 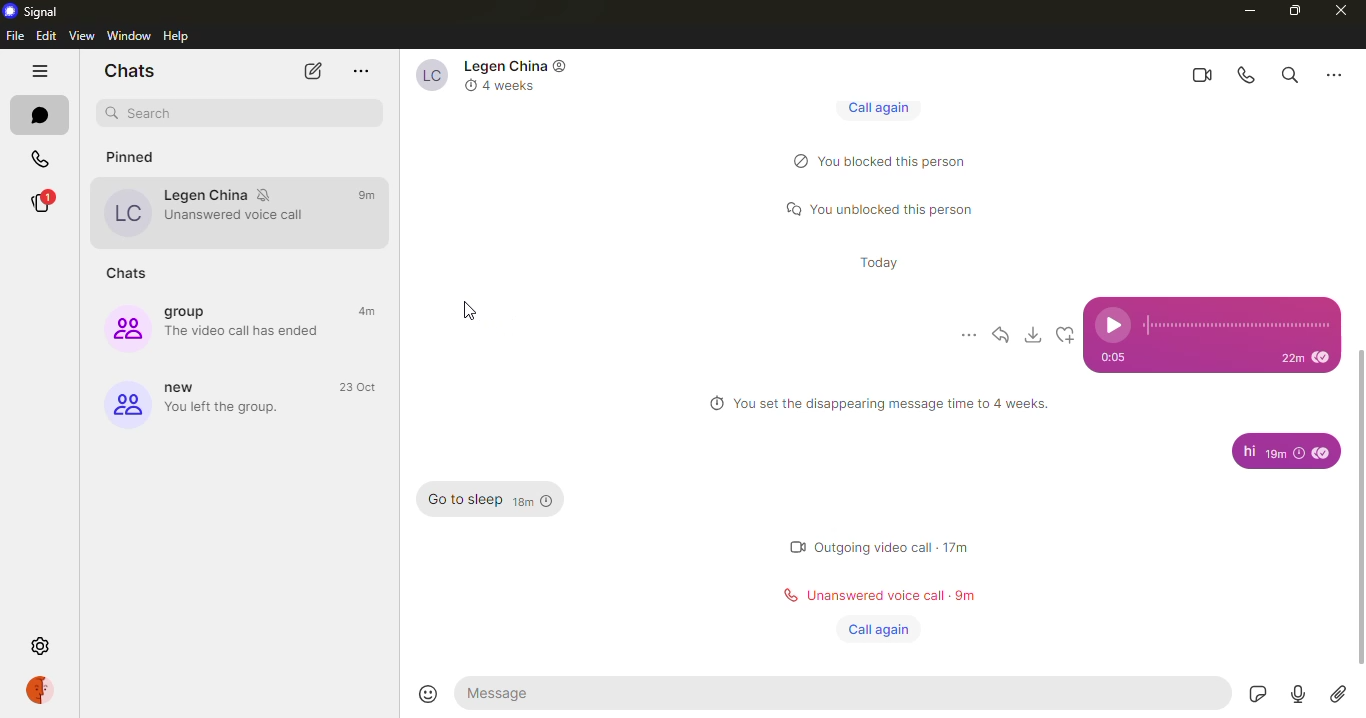 I want to click on file, so click(x=15, y=35).